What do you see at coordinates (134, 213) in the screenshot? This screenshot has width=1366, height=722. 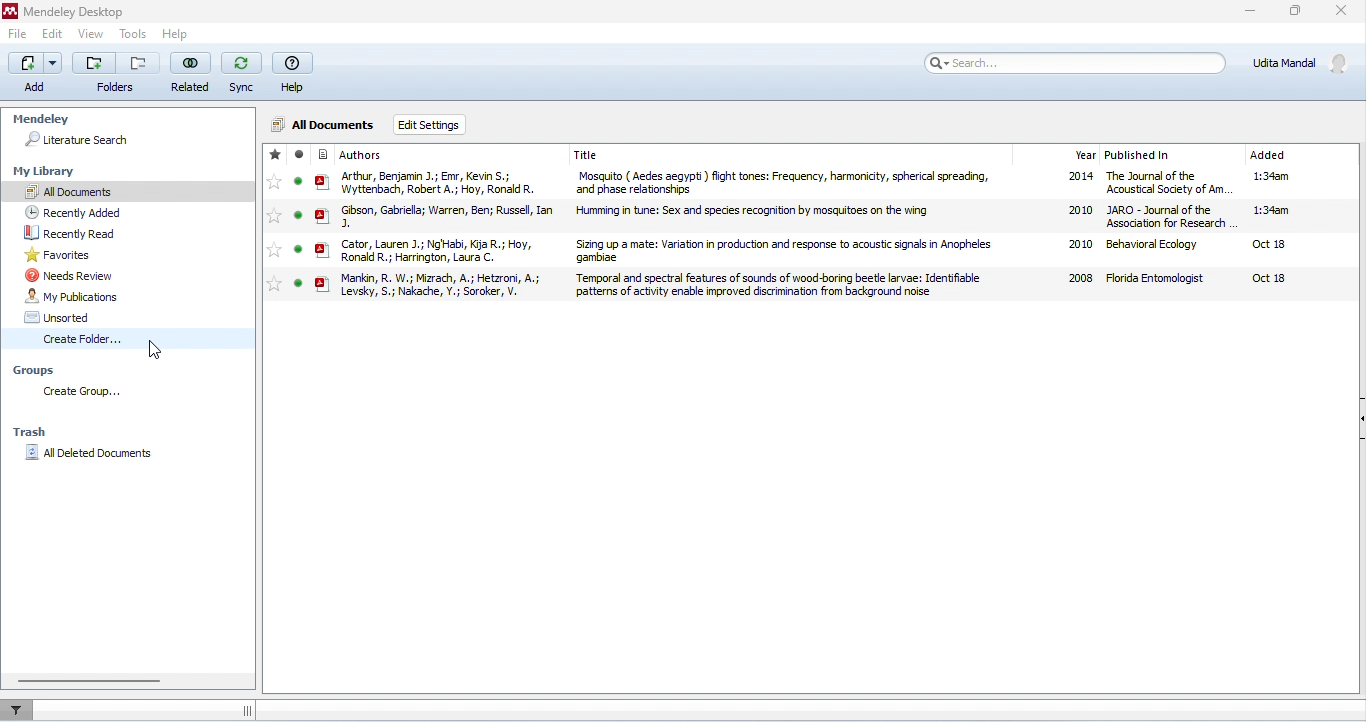 I see `recently added` at bounding box center [134, 213].